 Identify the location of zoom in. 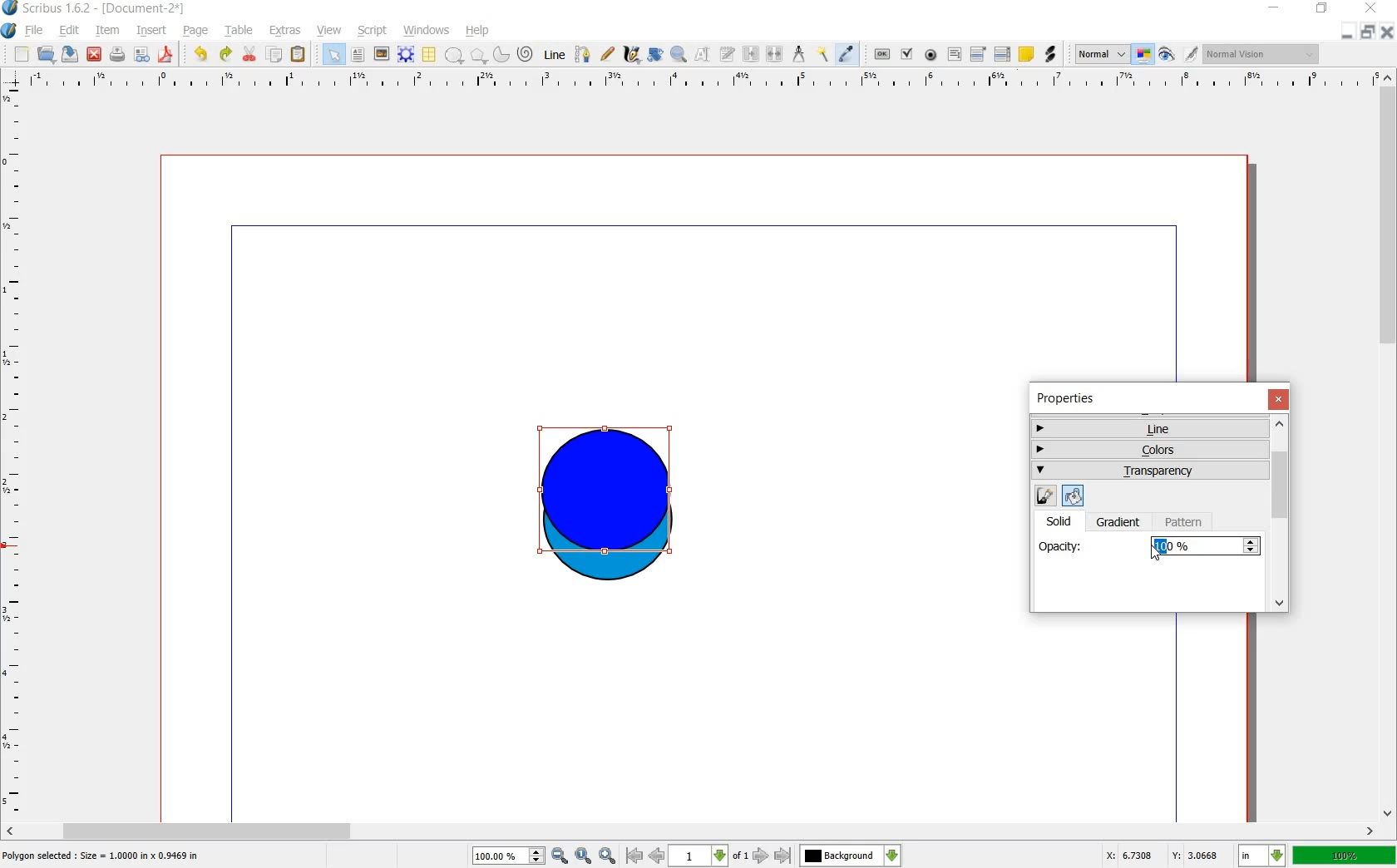
(607, 856).